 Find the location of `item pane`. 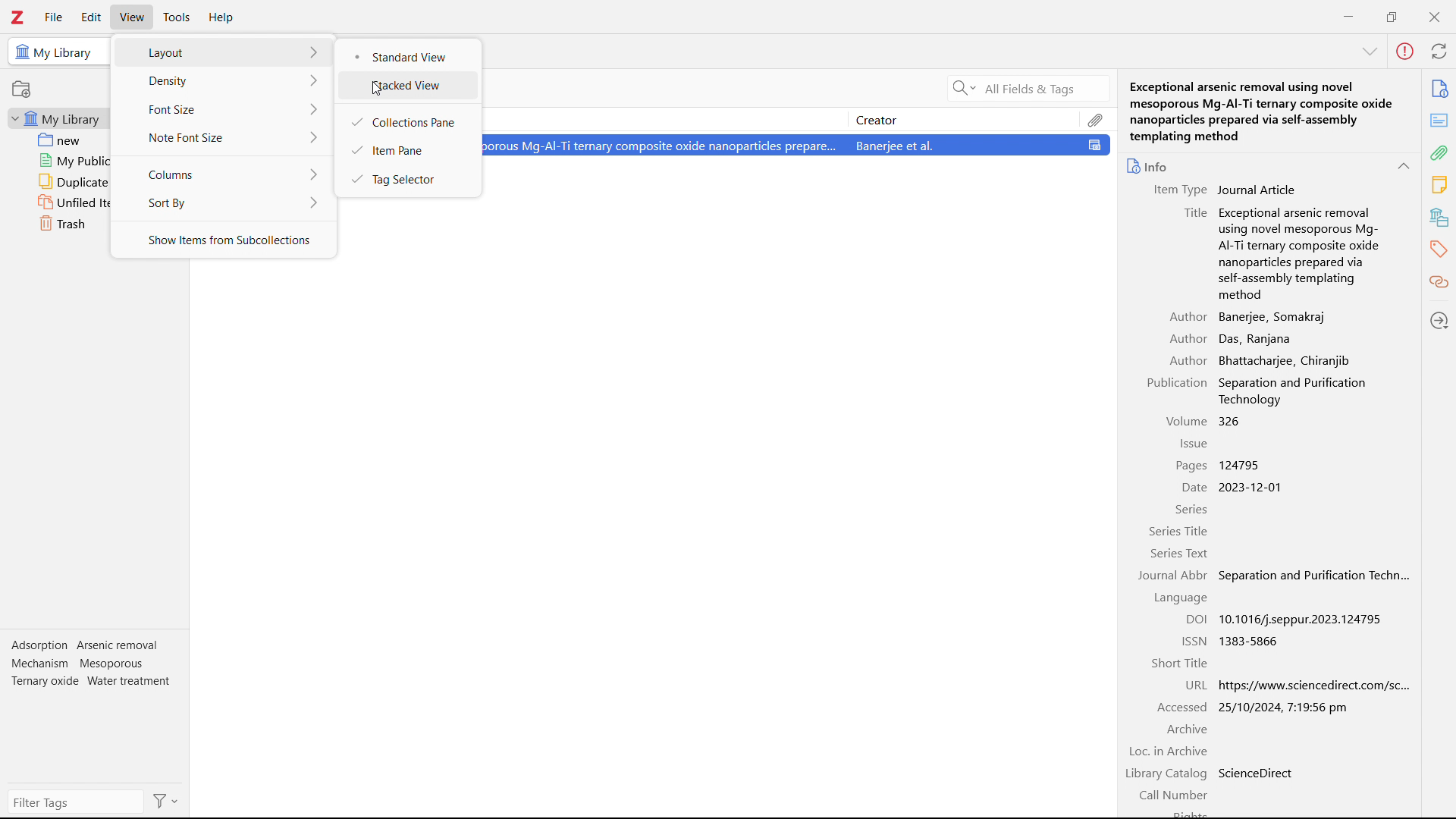

item pane is located at coordinates (406, 149).